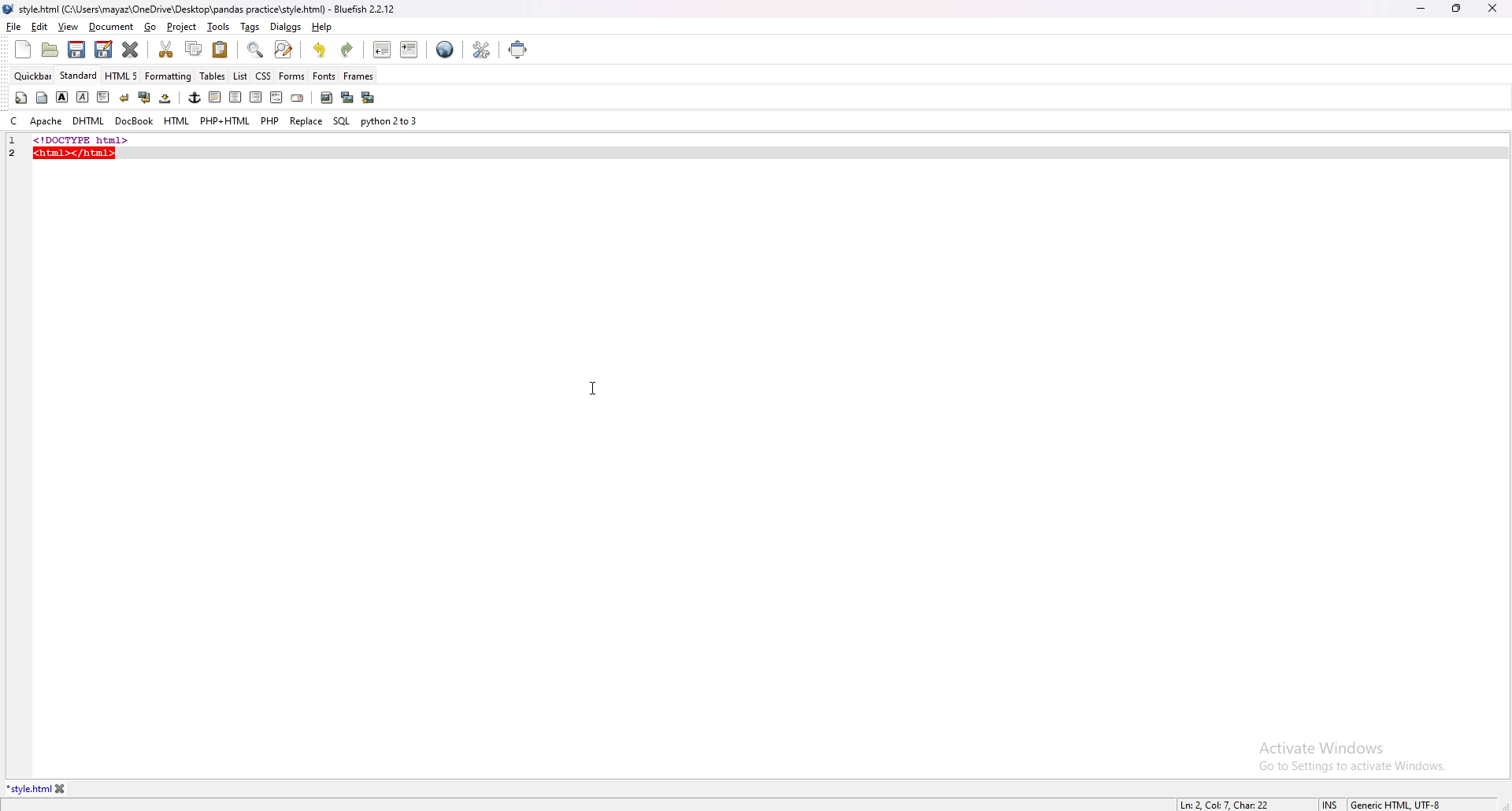 The width and height of the screenshot is (1512, 811). Describe the element at coordinates (166, 98) in the screenshot. I see `non breaking space` at that location.